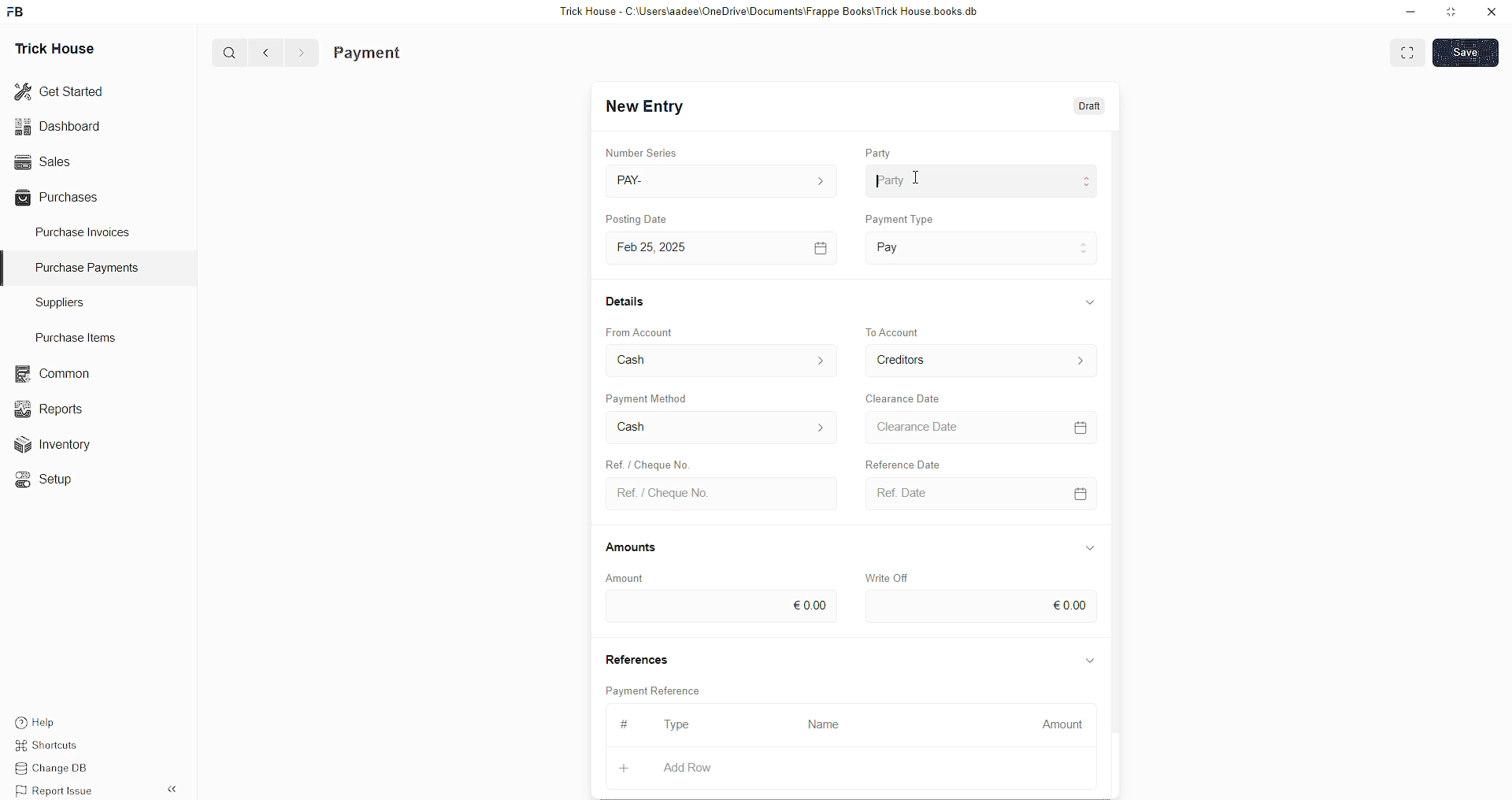 The width and height of the screenshot is (1512, 800). I want to click on +, so click(626, 765).